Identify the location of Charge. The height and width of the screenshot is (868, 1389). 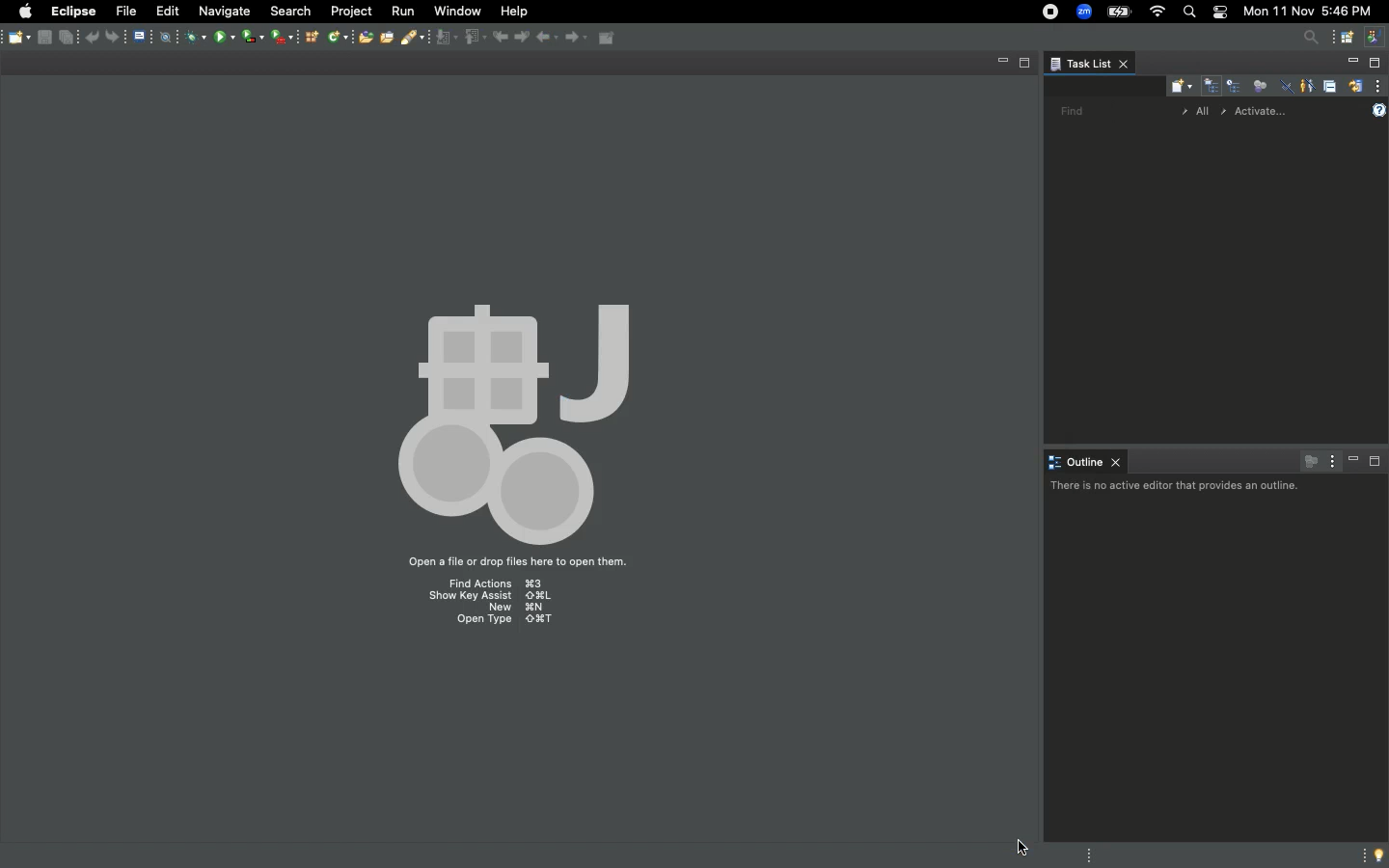
(1119, 12).